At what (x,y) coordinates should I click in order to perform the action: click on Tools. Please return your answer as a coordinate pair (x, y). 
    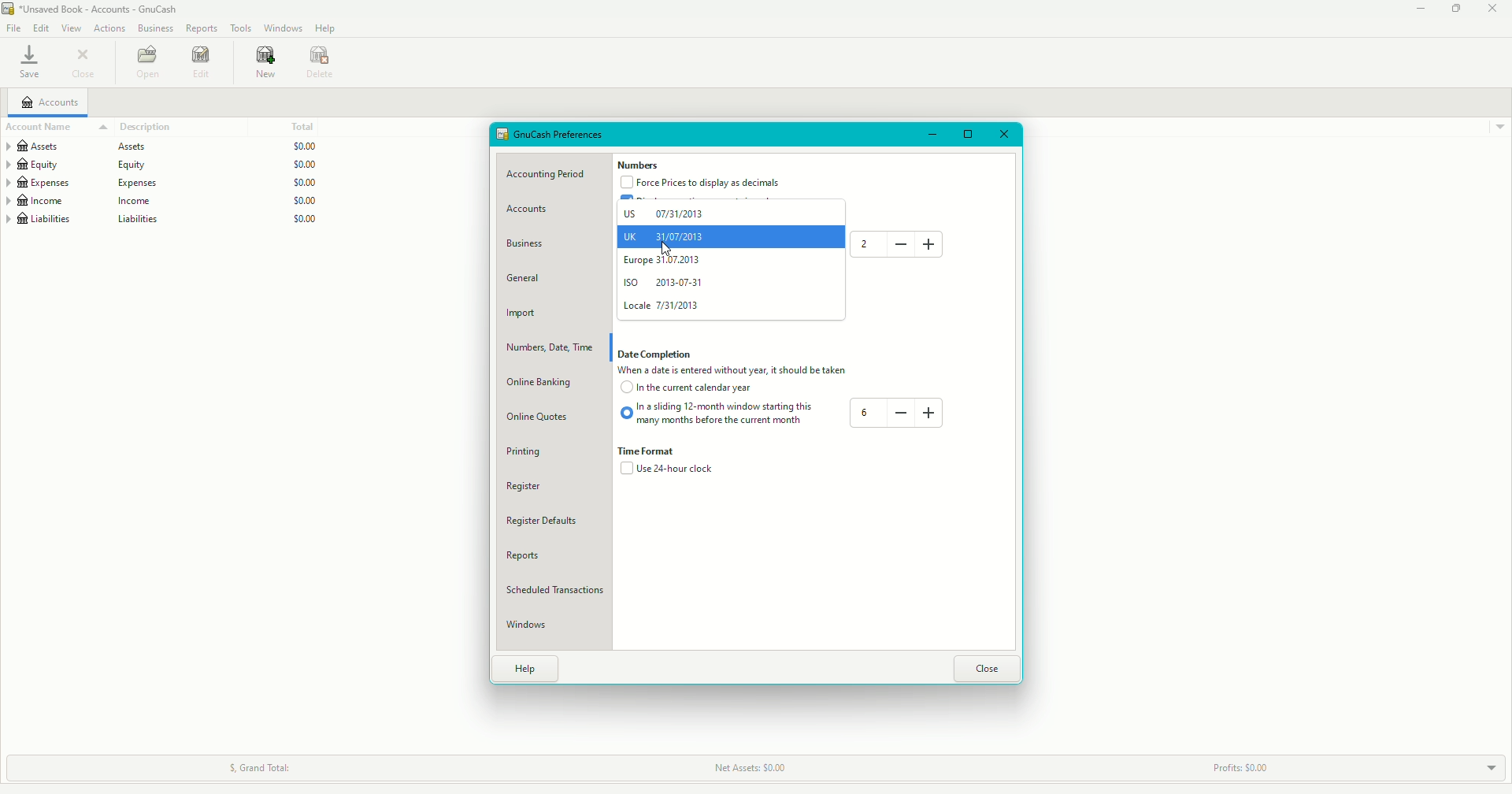
    Looking at the image, I should click on (241, 28).